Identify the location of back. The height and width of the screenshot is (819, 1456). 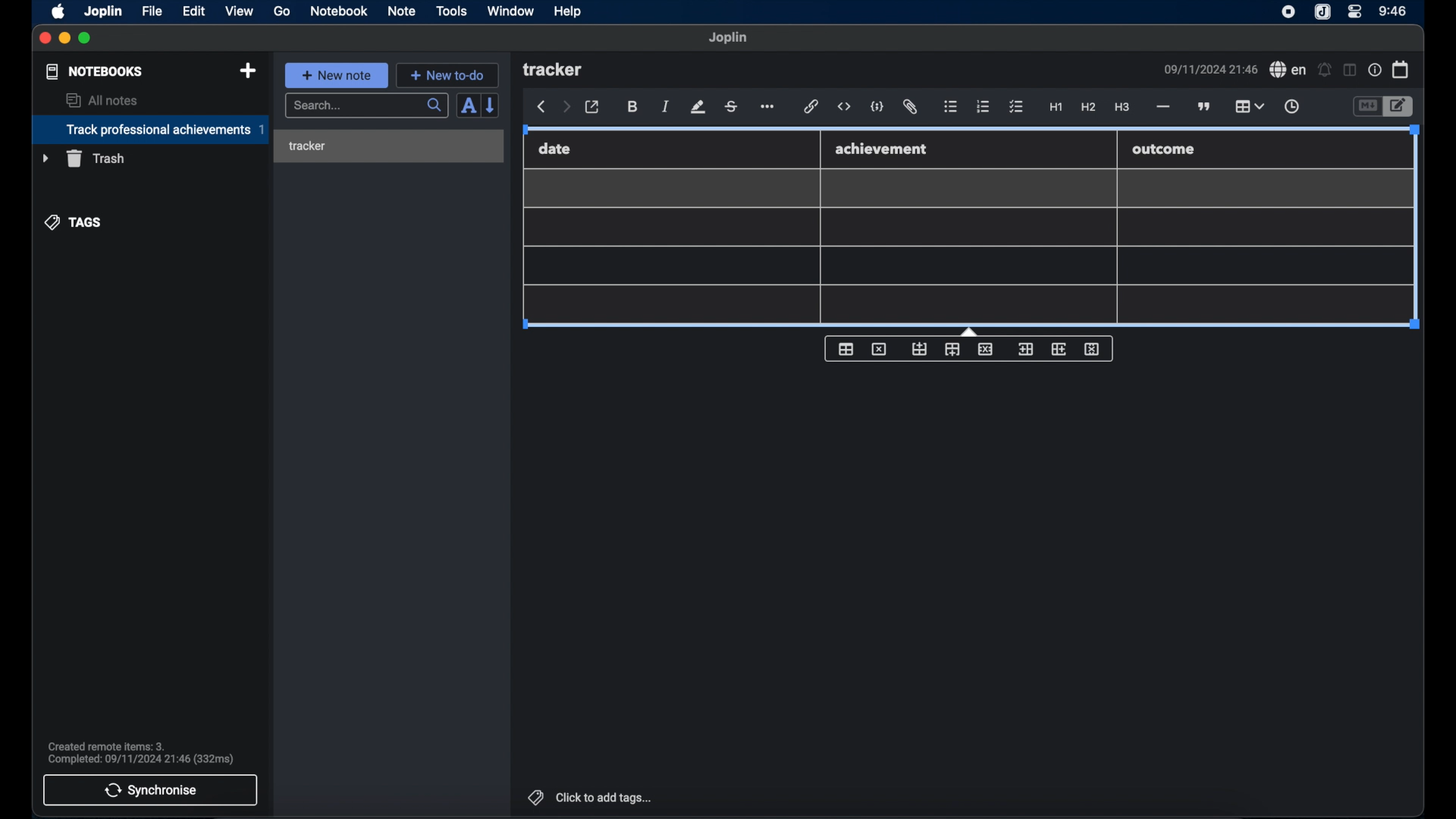
(541, 107).